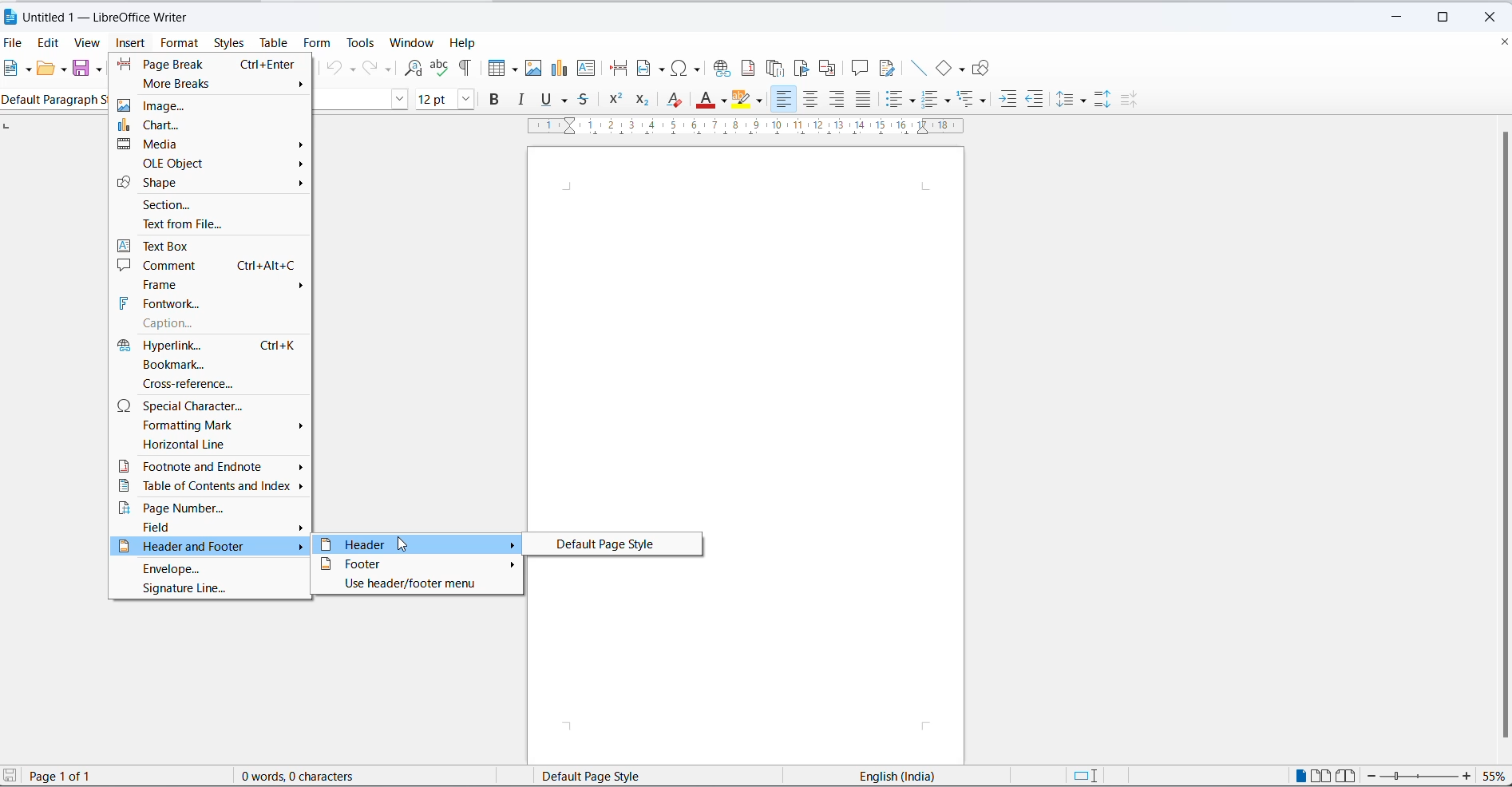 The height and width of the screenshot is (787, 1512). What do you see at coordinates (212, 428) in the screenshot?
I see `formatting mark` at bounding box center [212, 428].